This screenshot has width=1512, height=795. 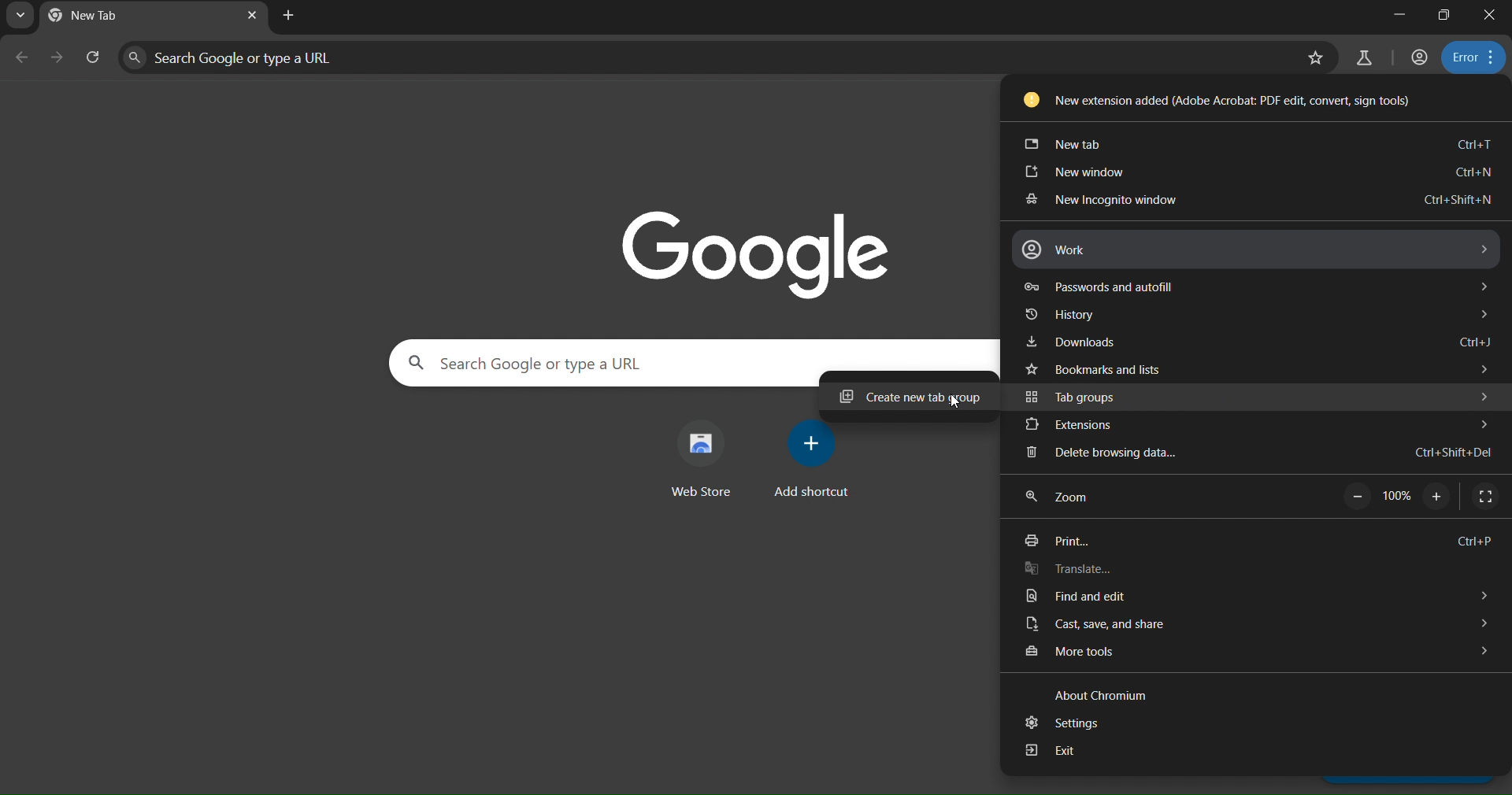 What do you see at coordinates (1489, 16) in the screenshot?
I see `close` at bounding box center [1489, 16].